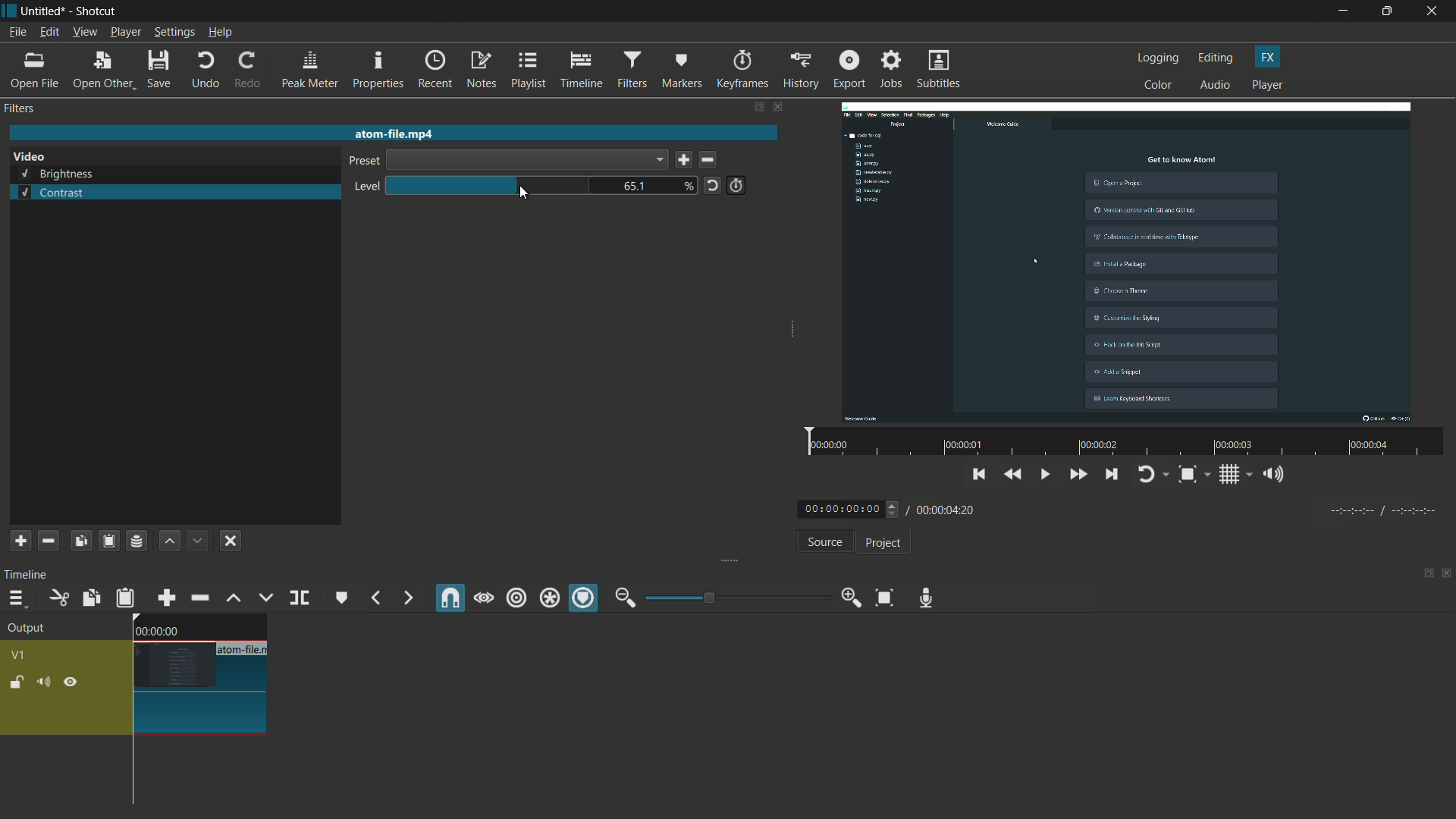 The height and width of the screenshot is (819, 1456). What do you see at coordinates (437, 69) in the screenshot?
I see `recent` at bounding box center [437, 69].